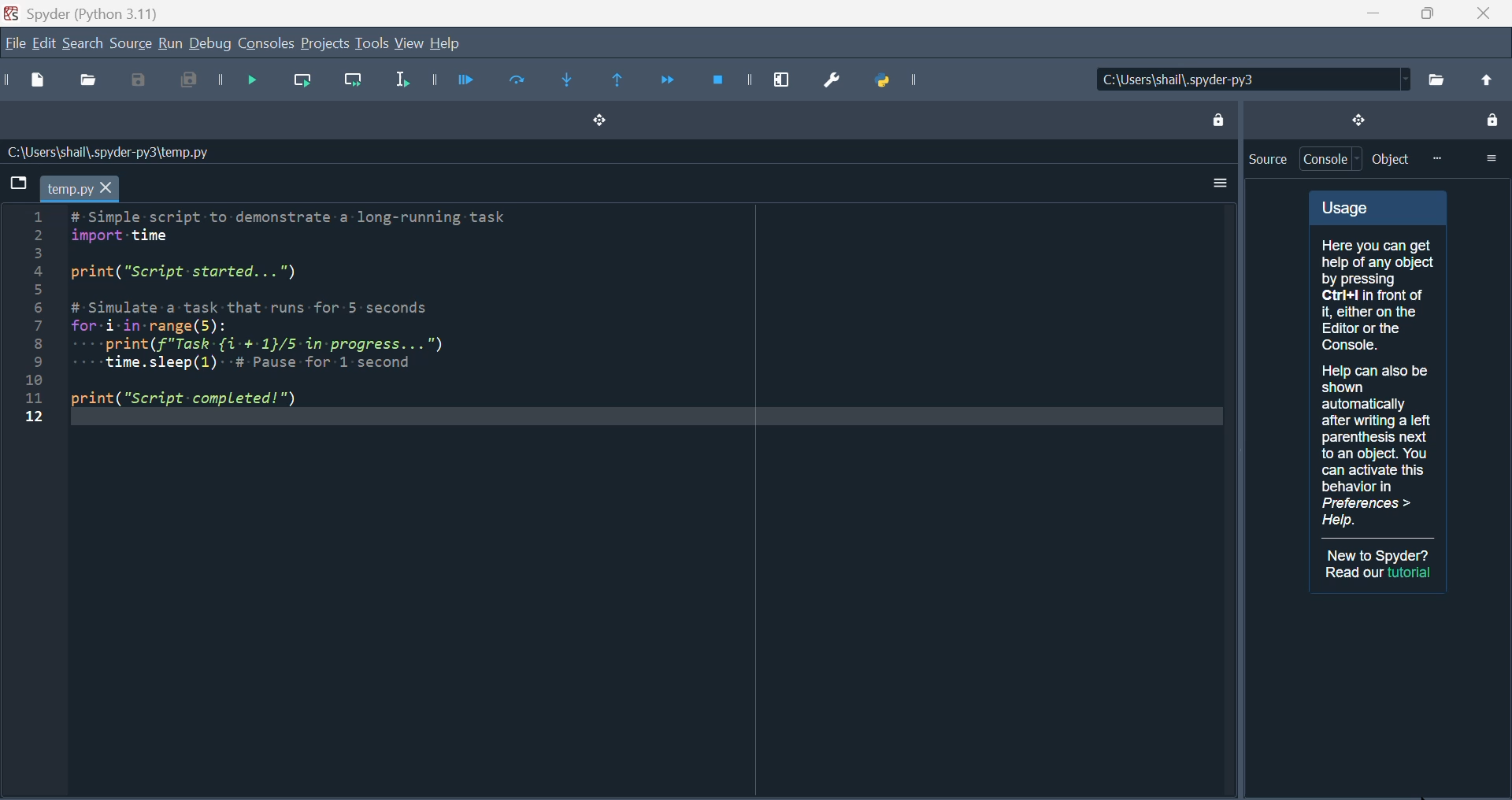 Image resolution: width=1512 pixels, height=800 pixels. Describe the element at coordinates (906, 80) in the screenshot. I see `Python path manager` at that location.